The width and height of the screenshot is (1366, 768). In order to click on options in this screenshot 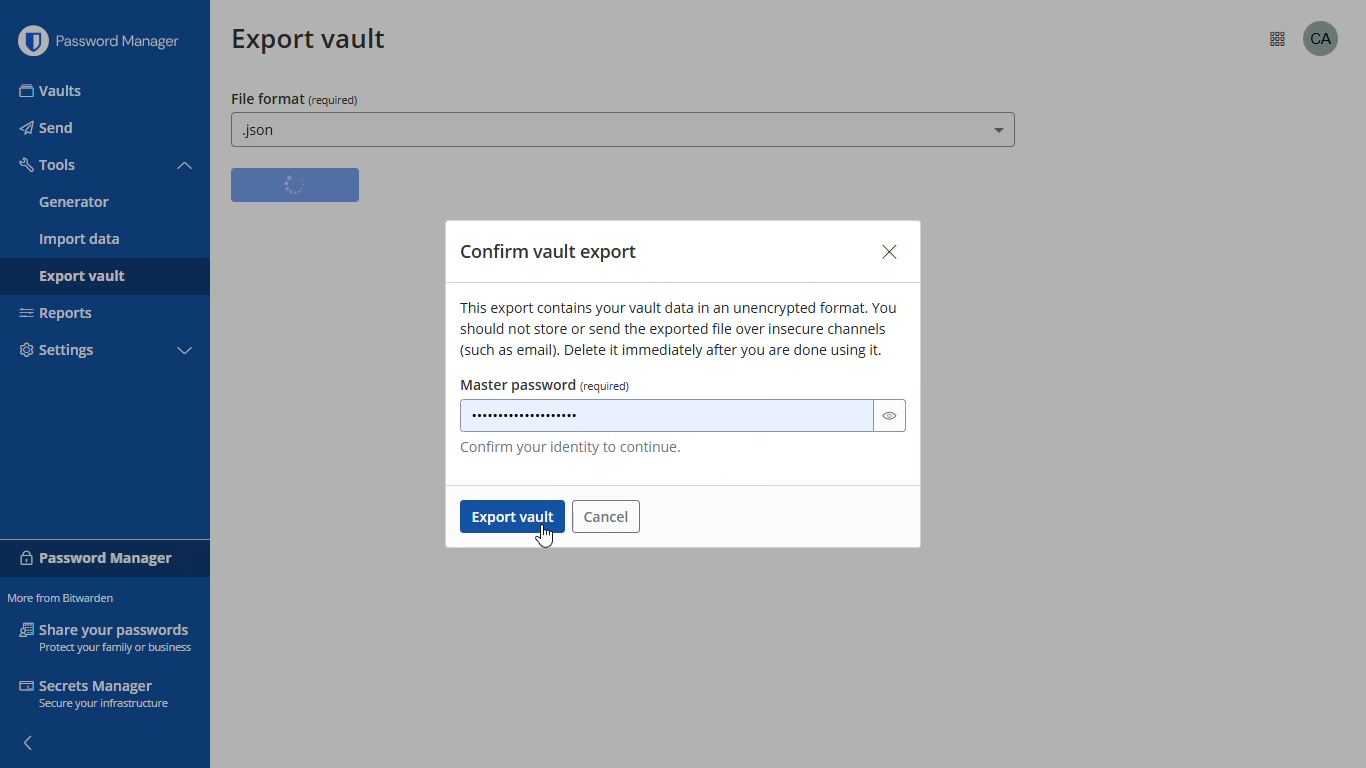, I will do `click(1275, 41)`.